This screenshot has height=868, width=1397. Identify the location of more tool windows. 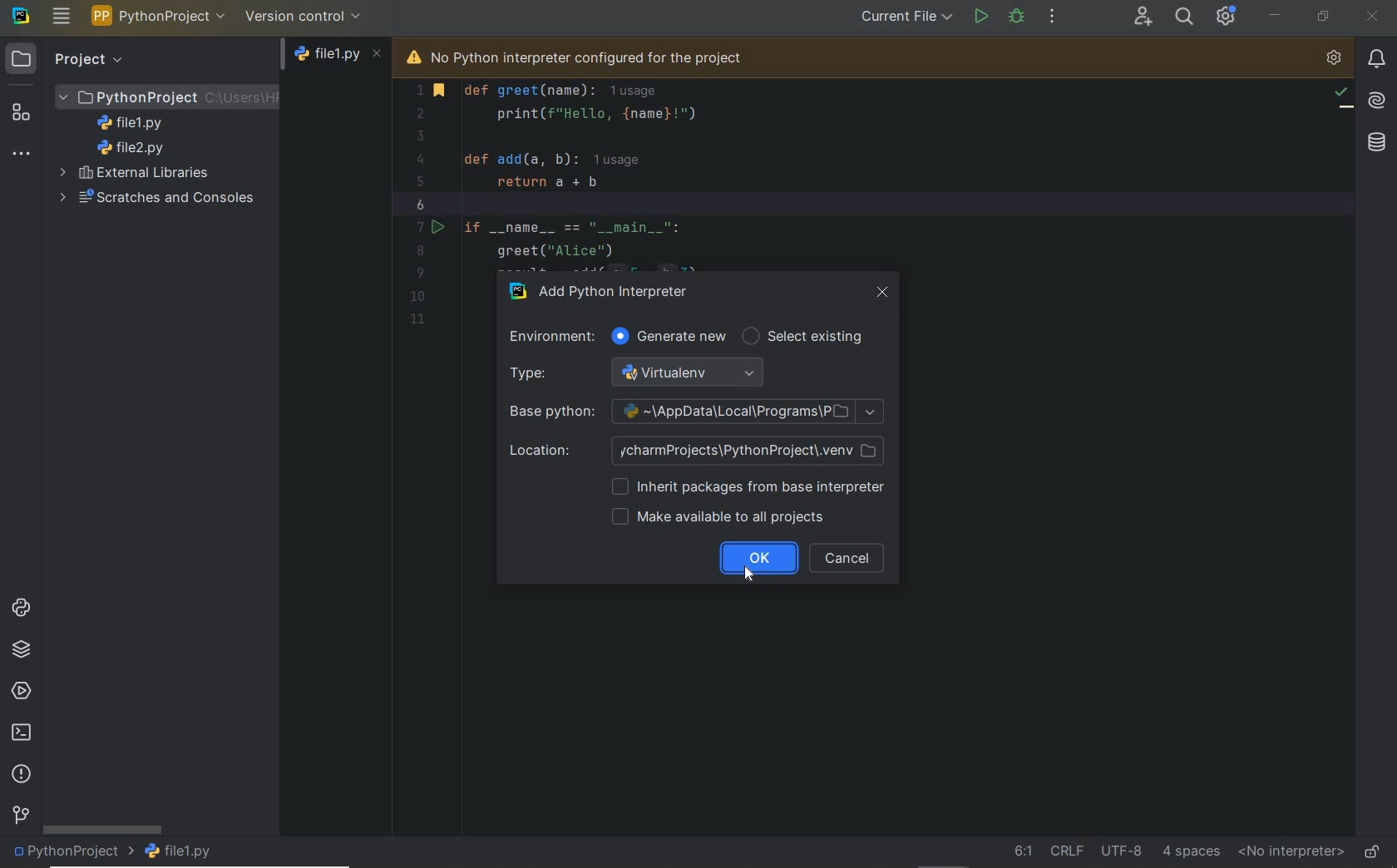
(21, 155).